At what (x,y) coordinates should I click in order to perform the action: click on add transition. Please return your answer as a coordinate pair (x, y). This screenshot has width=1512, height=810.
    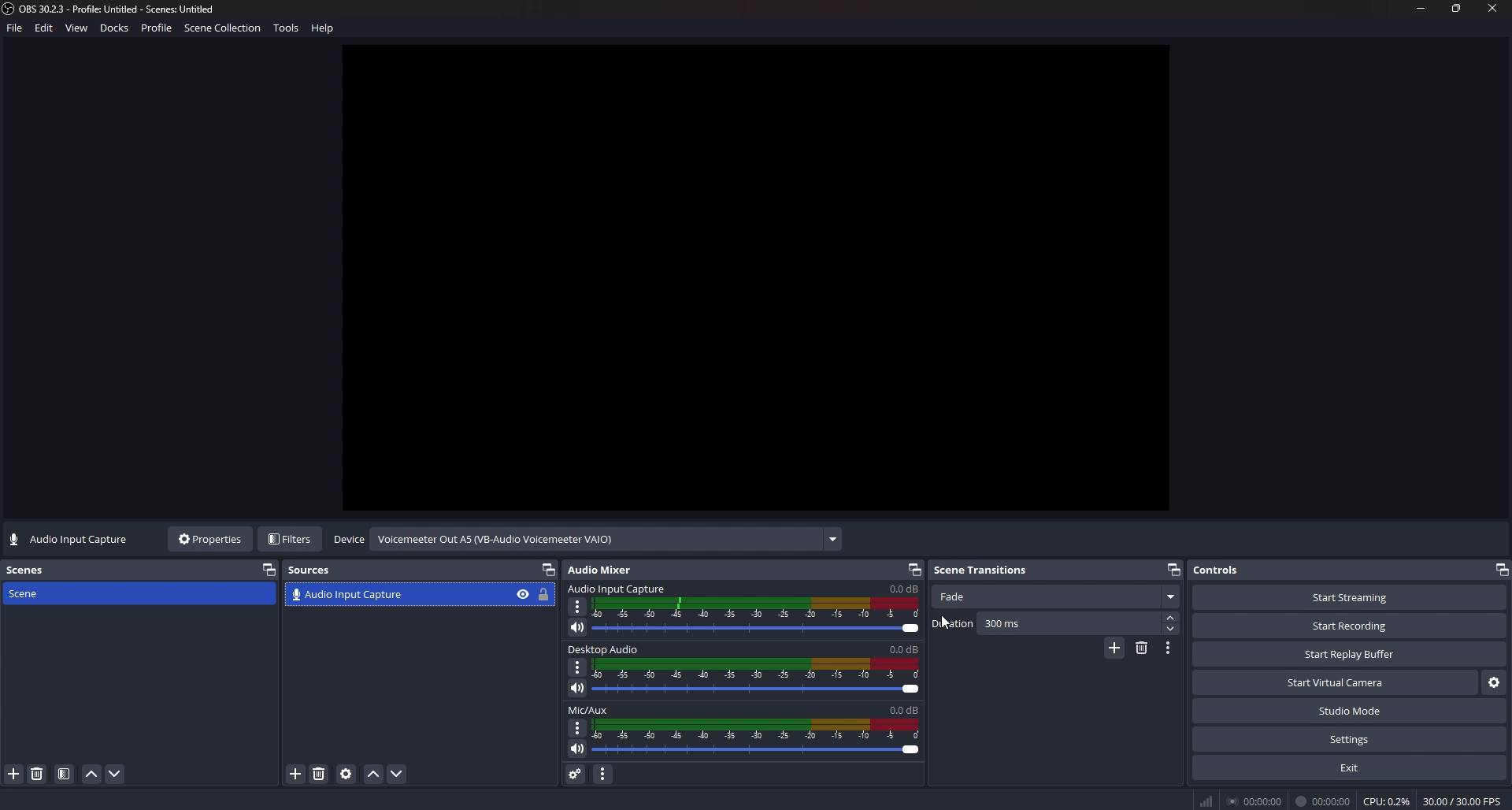
    Looking at the image, I should click on (1114, 650).